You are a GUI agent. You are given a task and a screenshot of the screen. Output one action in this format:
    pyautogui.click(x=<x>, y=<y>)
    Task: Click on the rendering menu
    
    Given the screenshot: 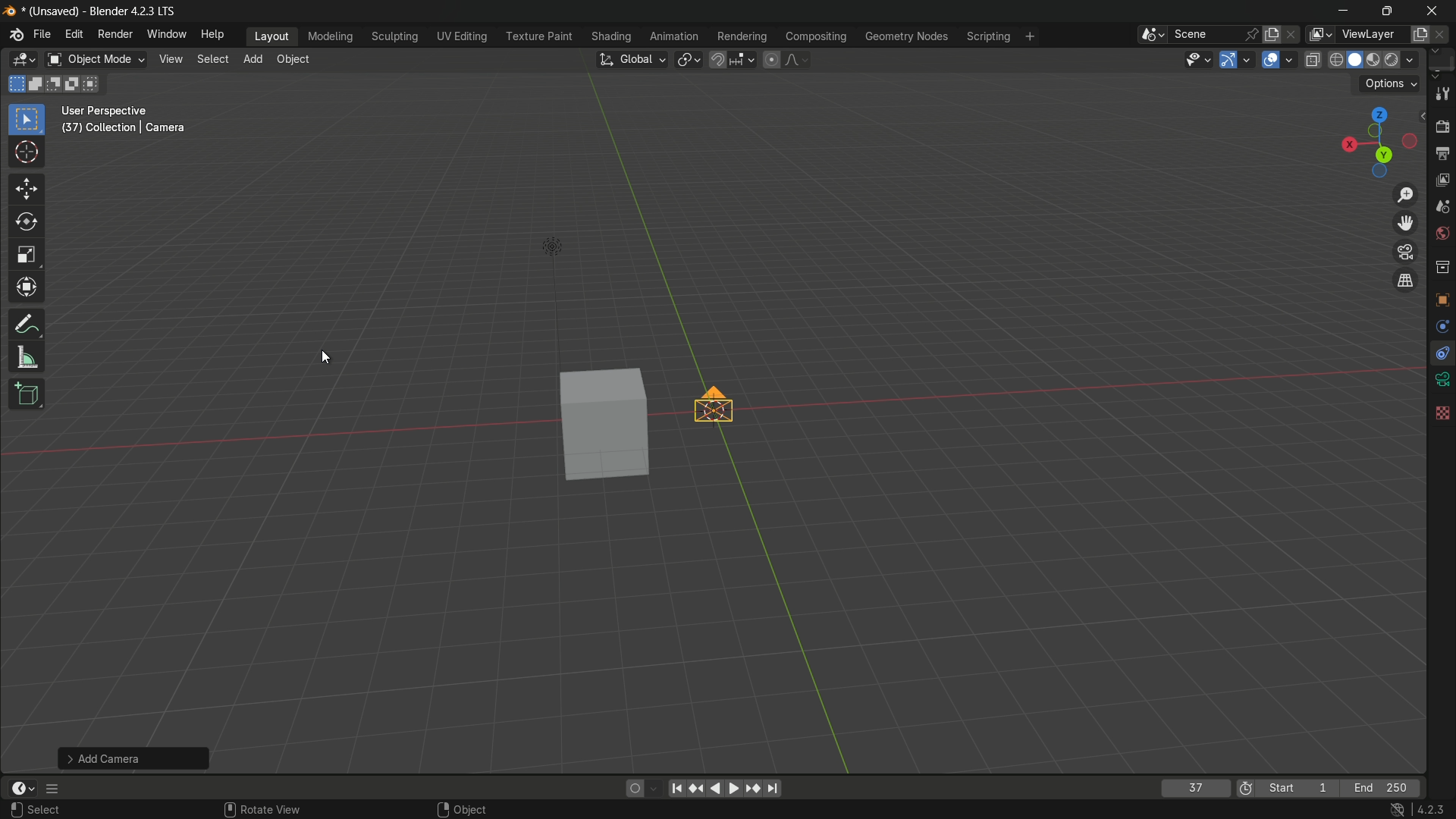 What is the action you would take?
    pyautogui.click(x=742, y=36)
    